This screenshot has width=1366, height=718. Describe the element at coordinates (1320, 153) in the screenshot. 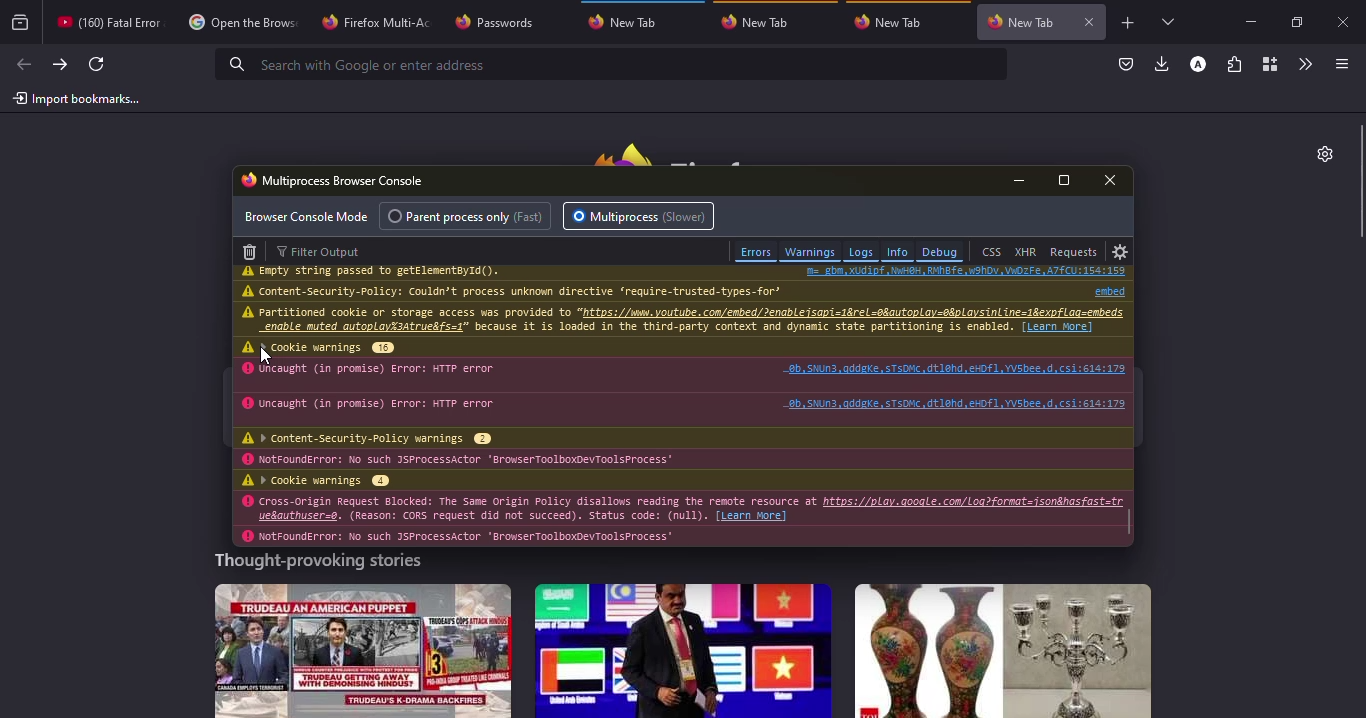

I see `settings` at that location.